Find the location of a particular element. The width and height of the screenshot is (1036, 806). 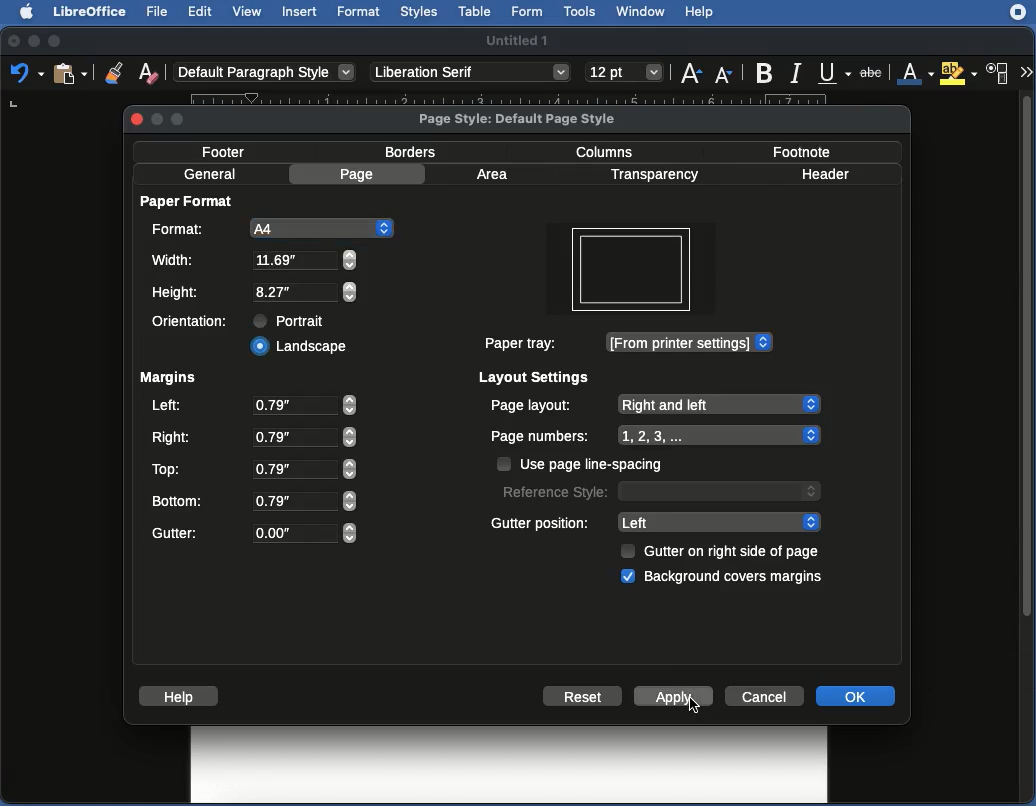

Page is located at coordinates (359, 176).